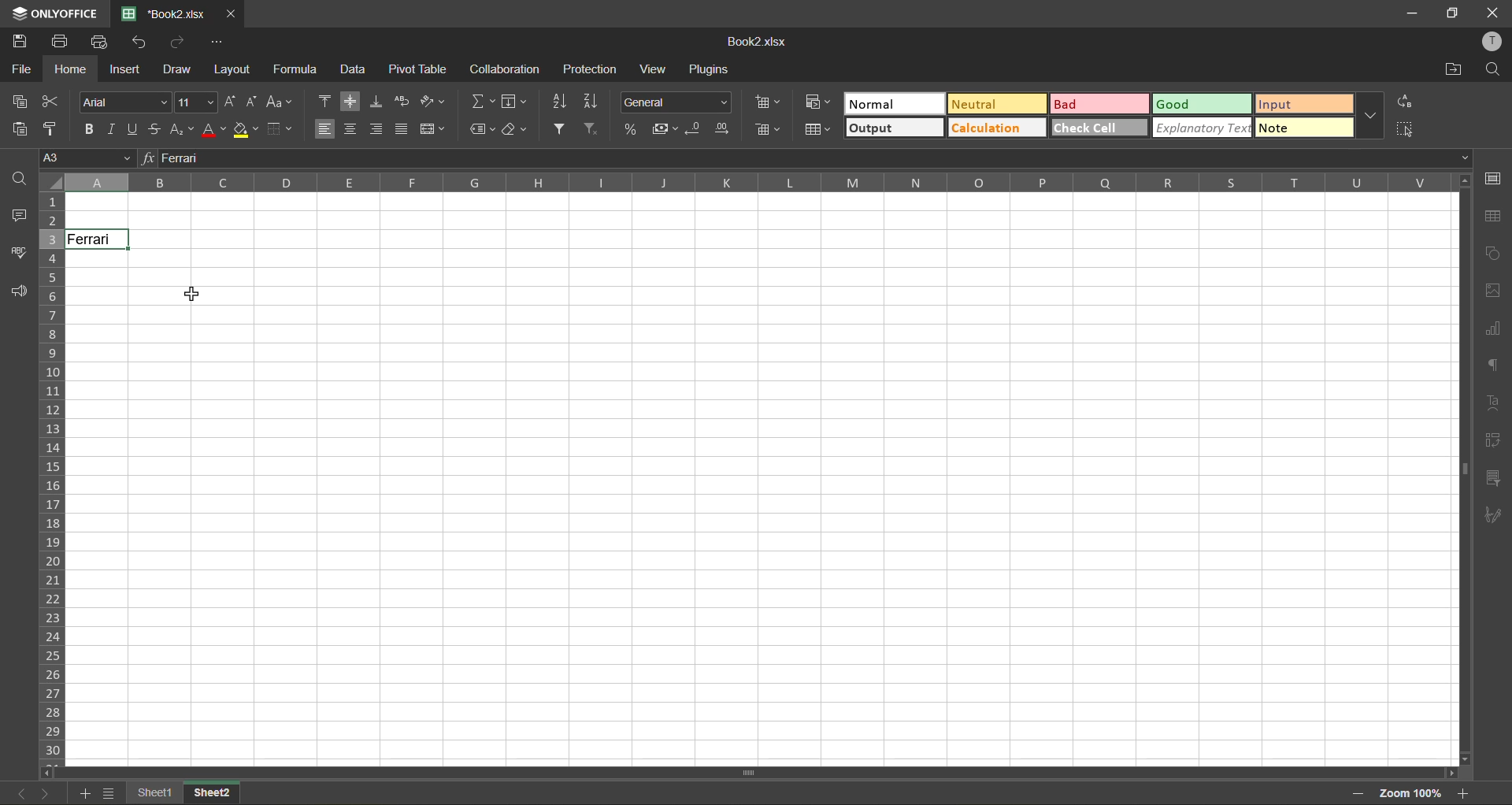  Describe the element at coordinates (591, 69) in the screenshot. I see `protection` at that location.